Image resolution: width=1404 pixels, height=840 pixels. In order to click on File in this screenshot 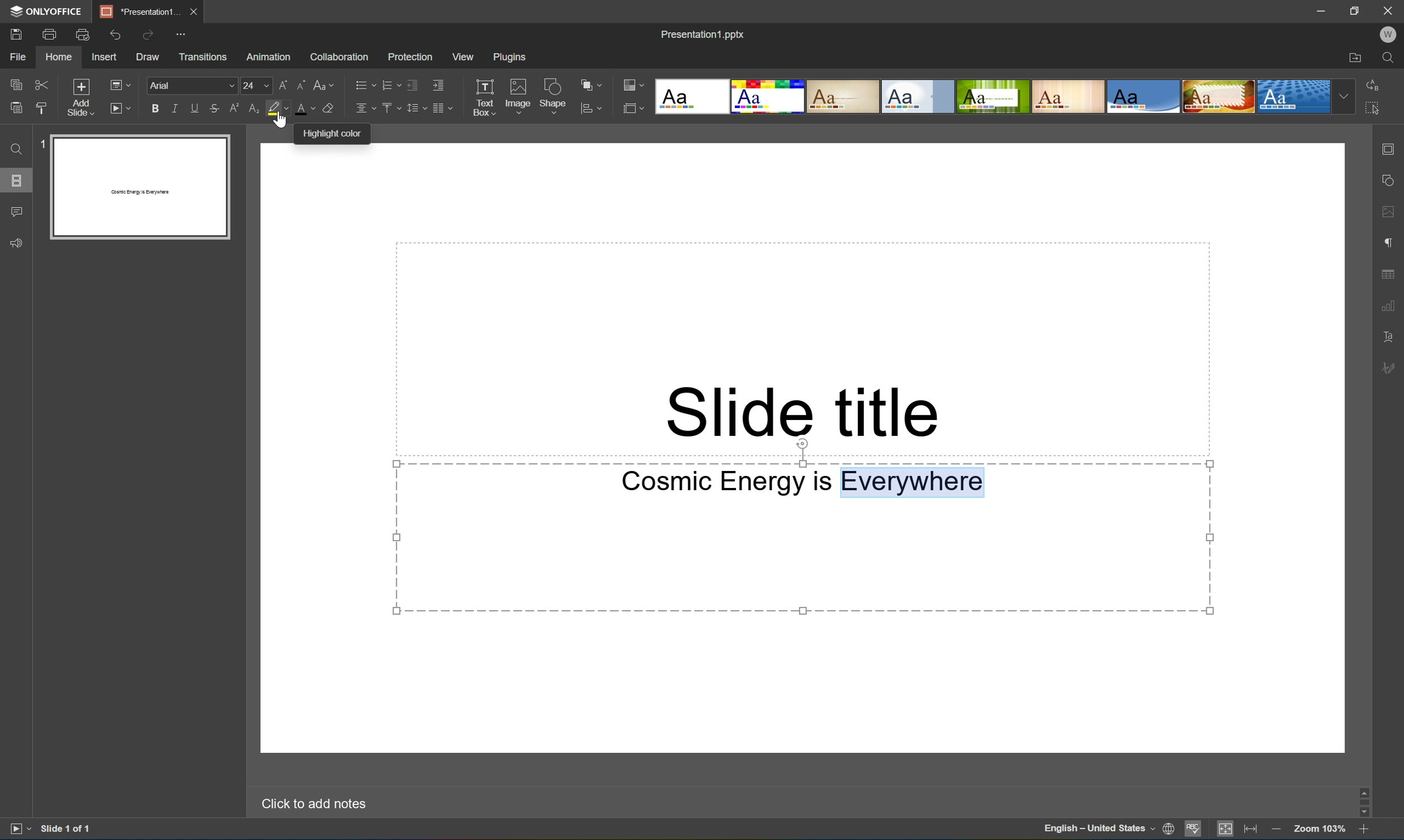, I will do `click(18, 57)`.